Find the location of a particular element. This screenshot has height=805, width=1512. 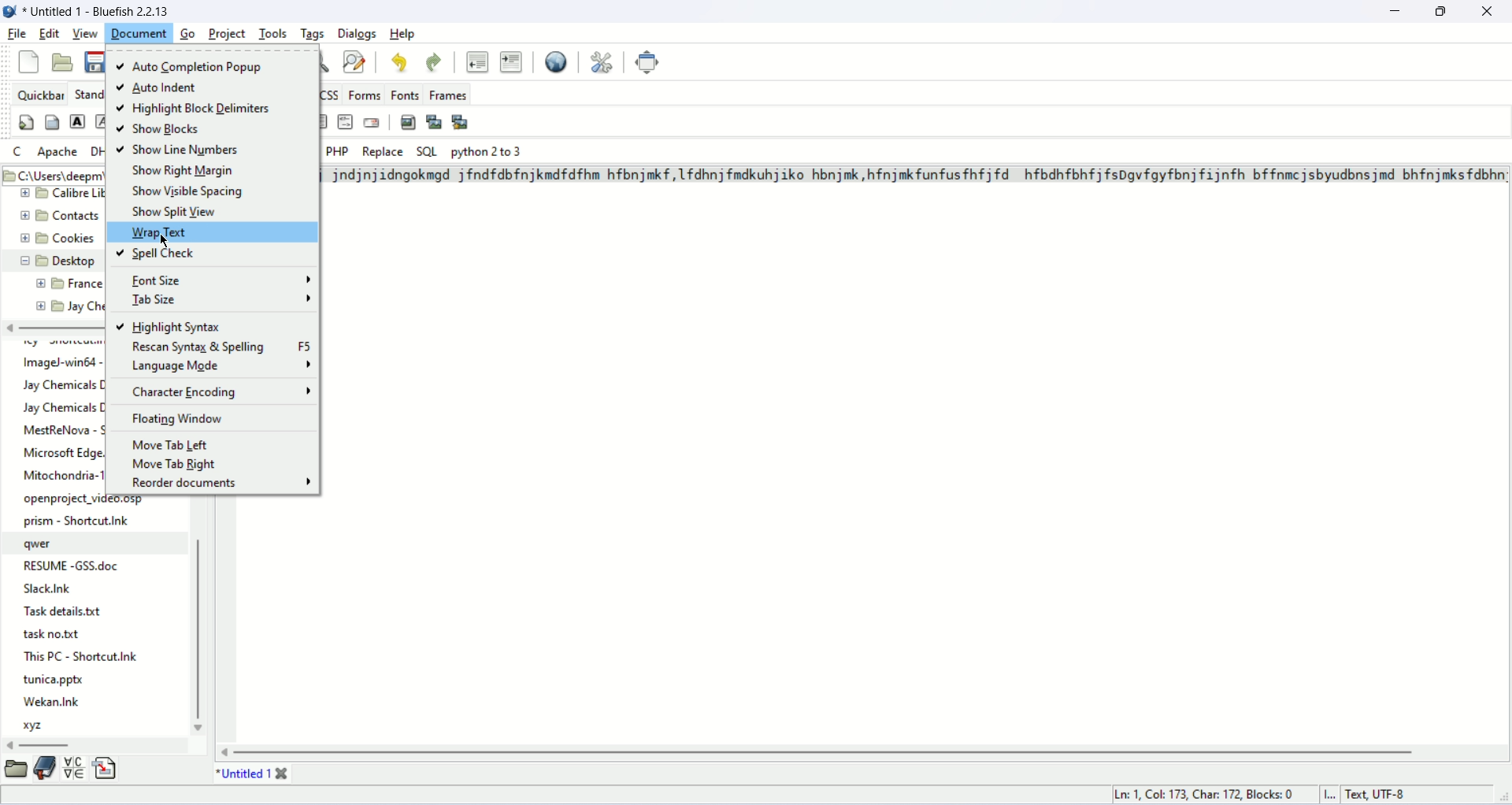

unindent is located at coordinates (474, 60).